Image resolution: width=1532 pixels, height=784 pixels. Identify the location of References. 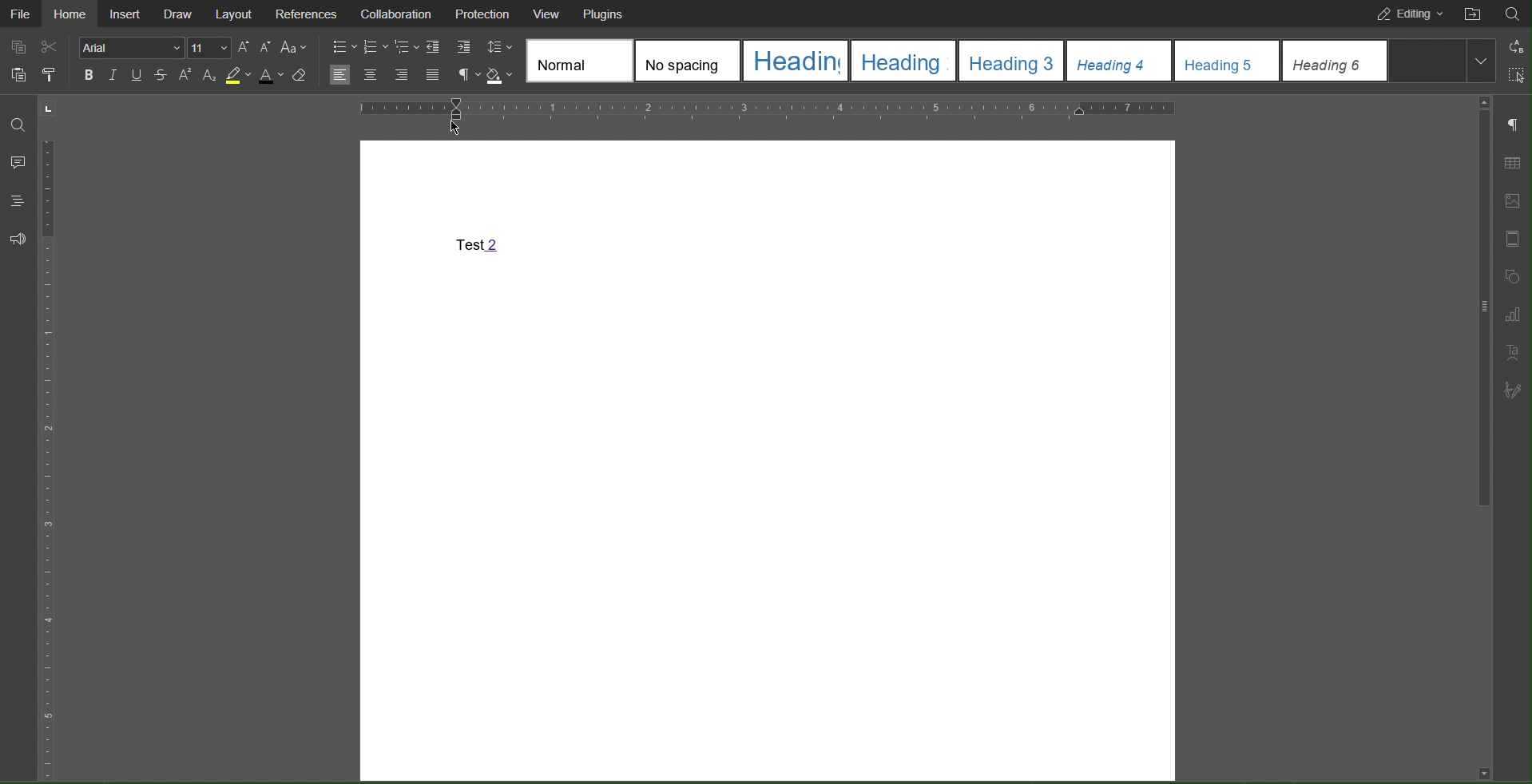
(307, 13).